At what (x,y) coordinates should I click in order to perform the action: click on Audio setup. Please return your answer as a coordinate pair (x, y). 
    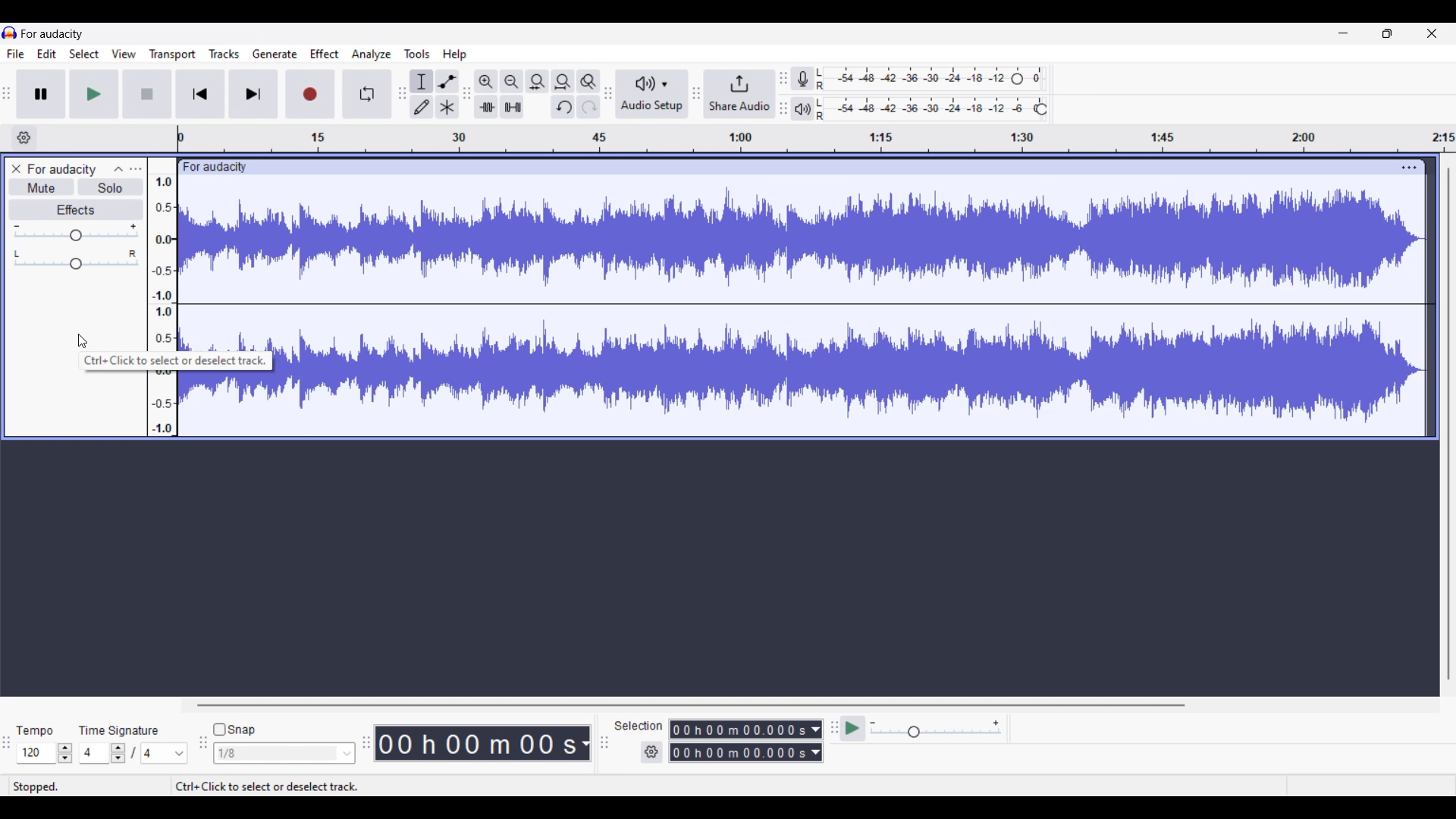
    Looking at the image, I should click on (652, 93).